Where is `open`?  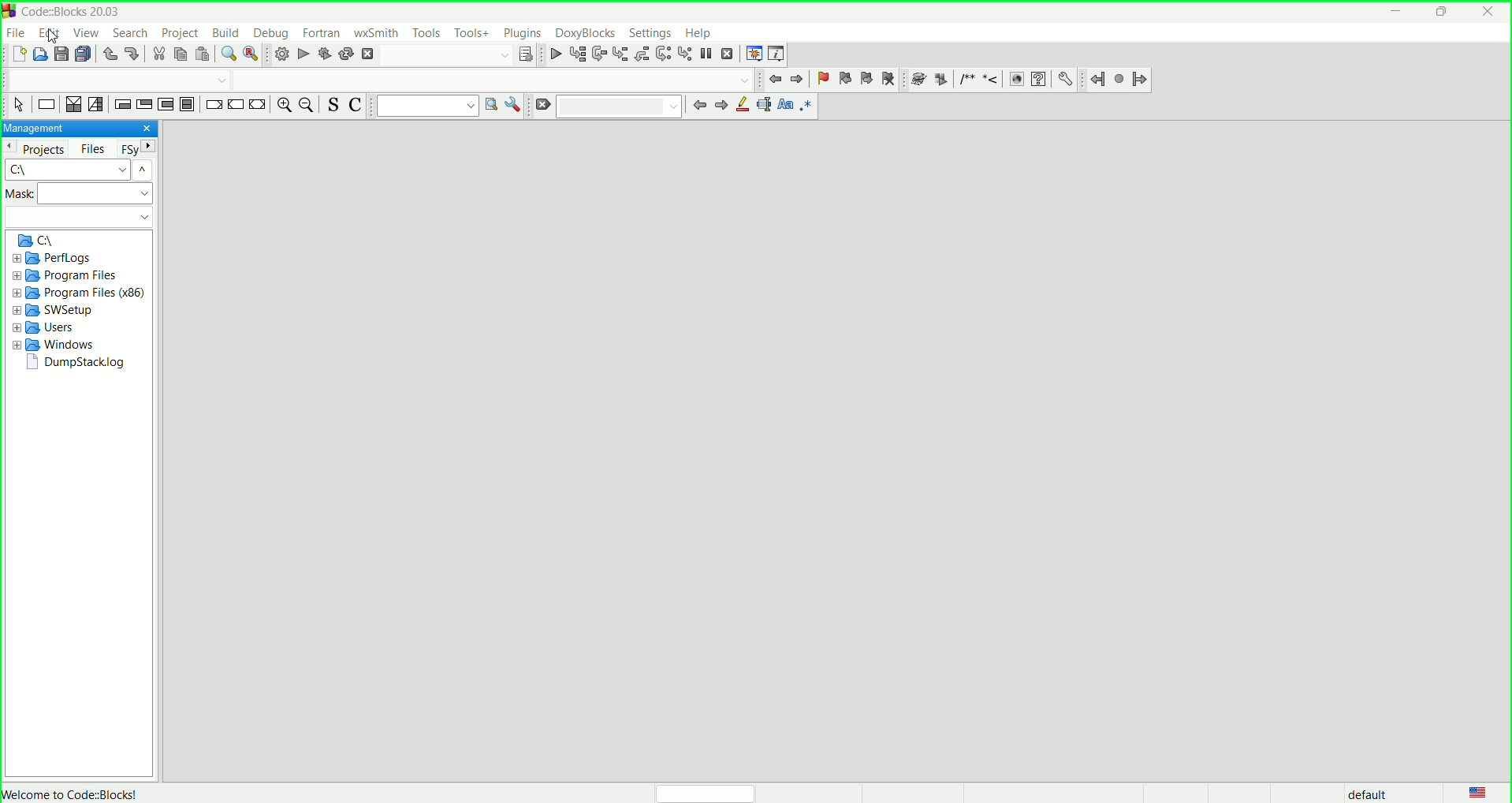 open is located at coordinates (42, 56).